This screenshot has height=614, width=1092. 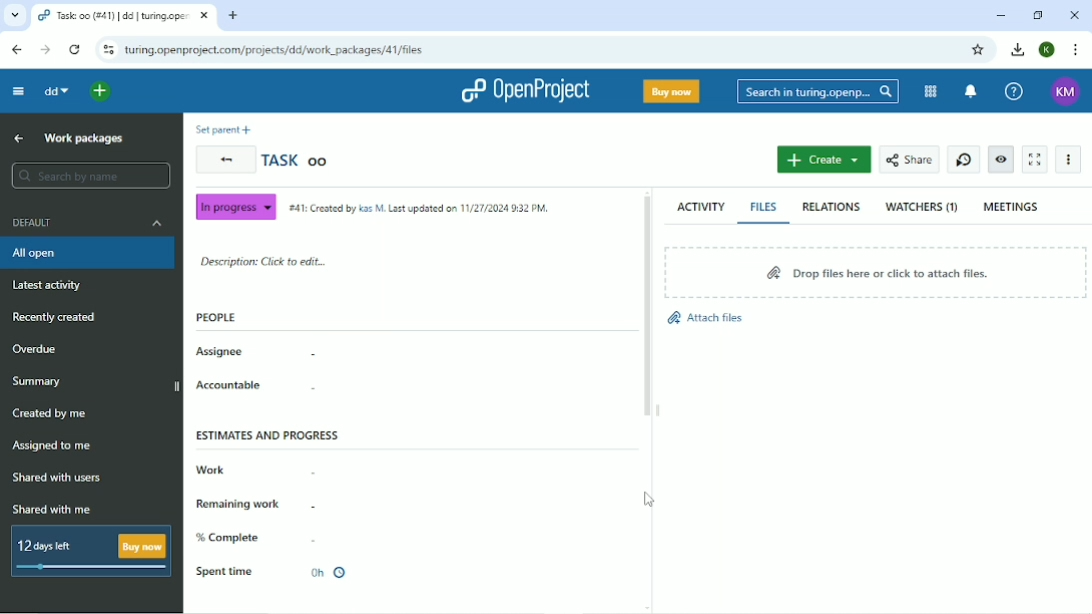 I want to click on Back, so click(x=18, y=50).